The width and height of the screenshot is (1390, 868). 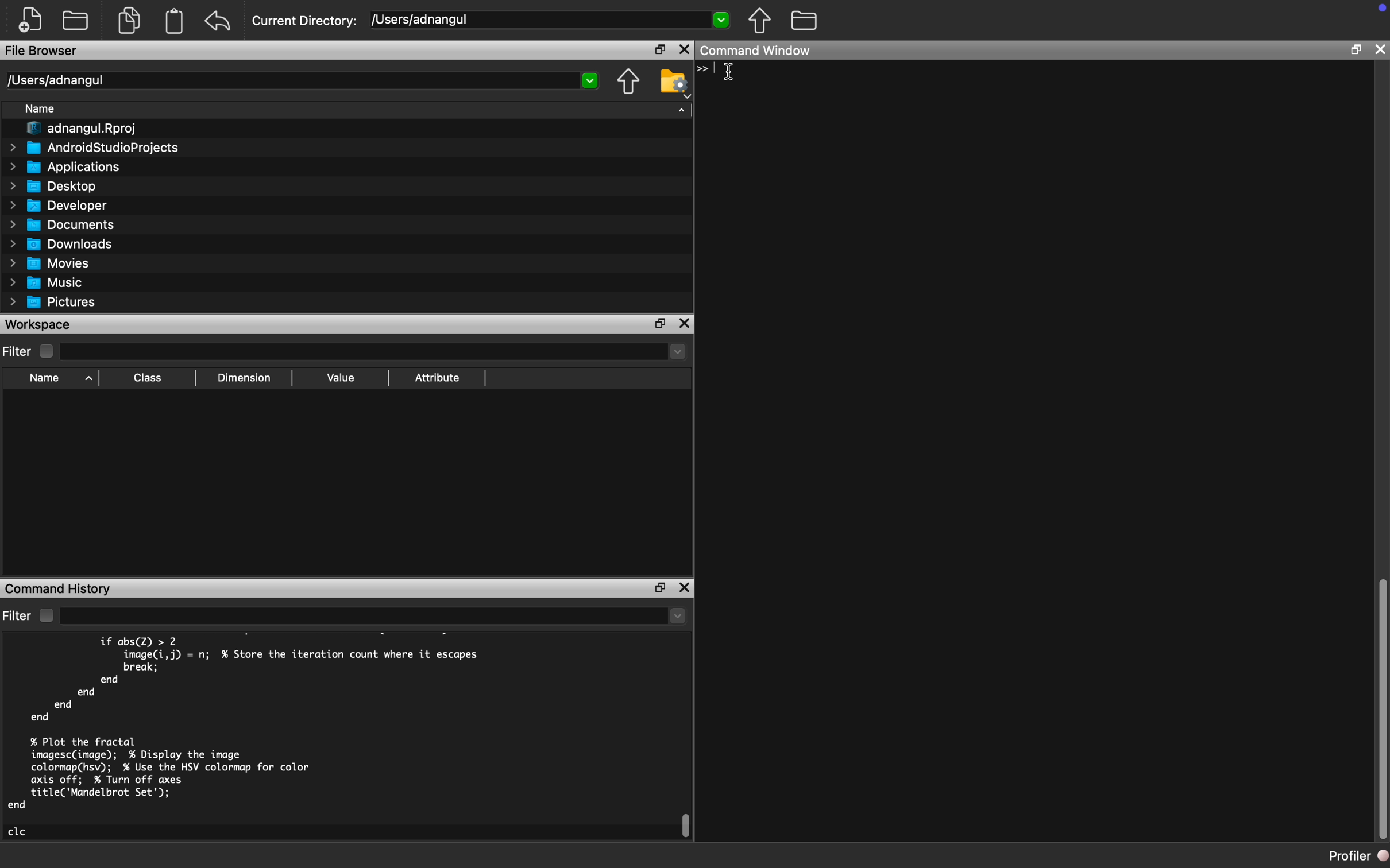 I want to click on Cursor, so click(x=731, y=74).